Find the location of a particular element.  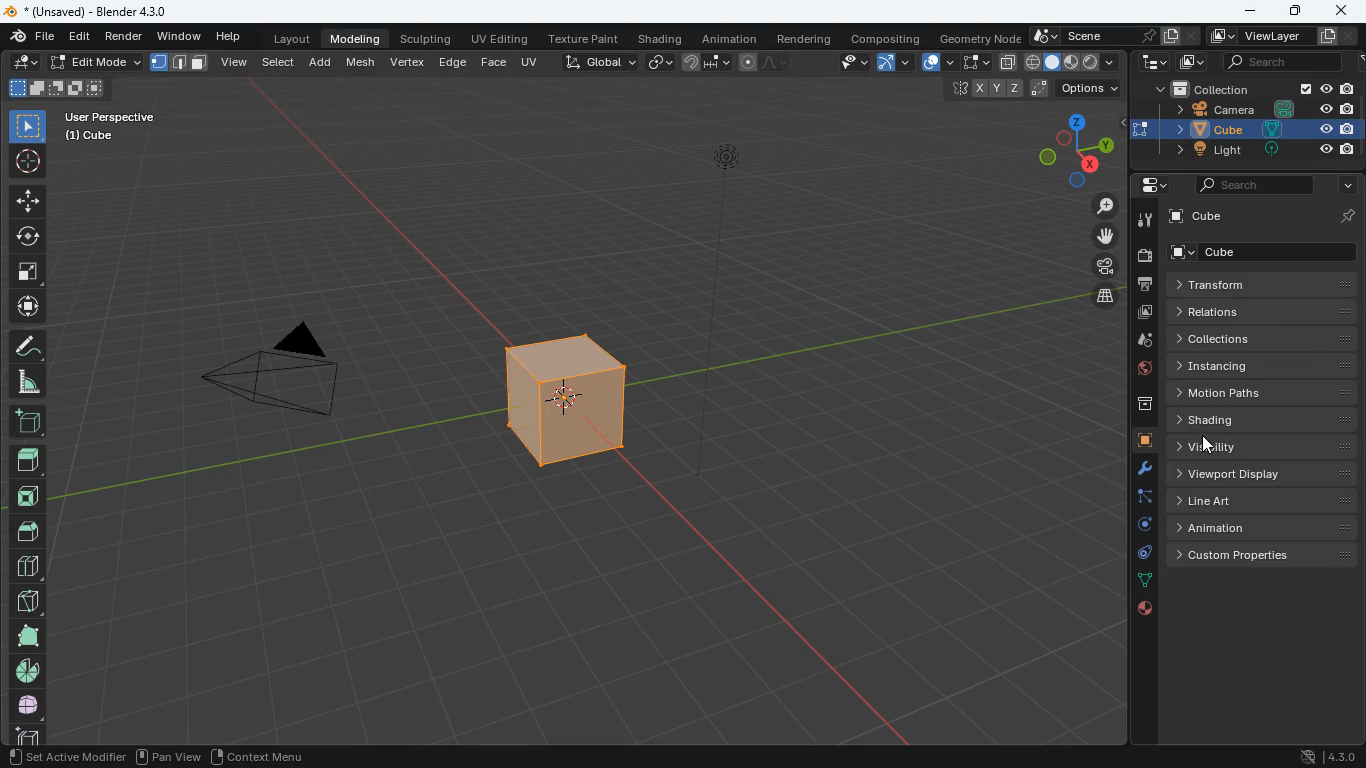

up is located at coordinates (31, 530).